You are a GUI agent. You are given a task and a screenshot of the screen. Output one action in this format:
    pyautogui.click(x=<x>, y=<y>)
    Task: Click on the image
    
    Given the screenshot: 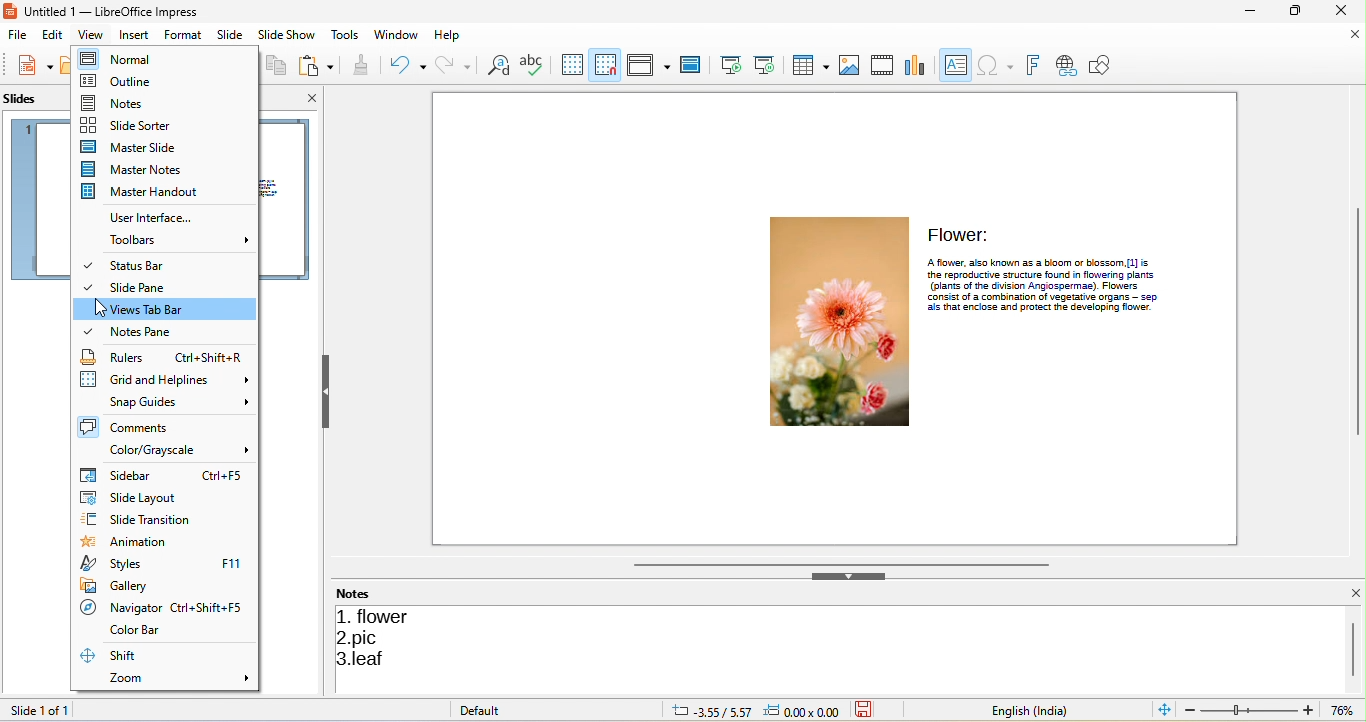 What is the action you would take?
    pyautogui.click(x=847, y=63)
    